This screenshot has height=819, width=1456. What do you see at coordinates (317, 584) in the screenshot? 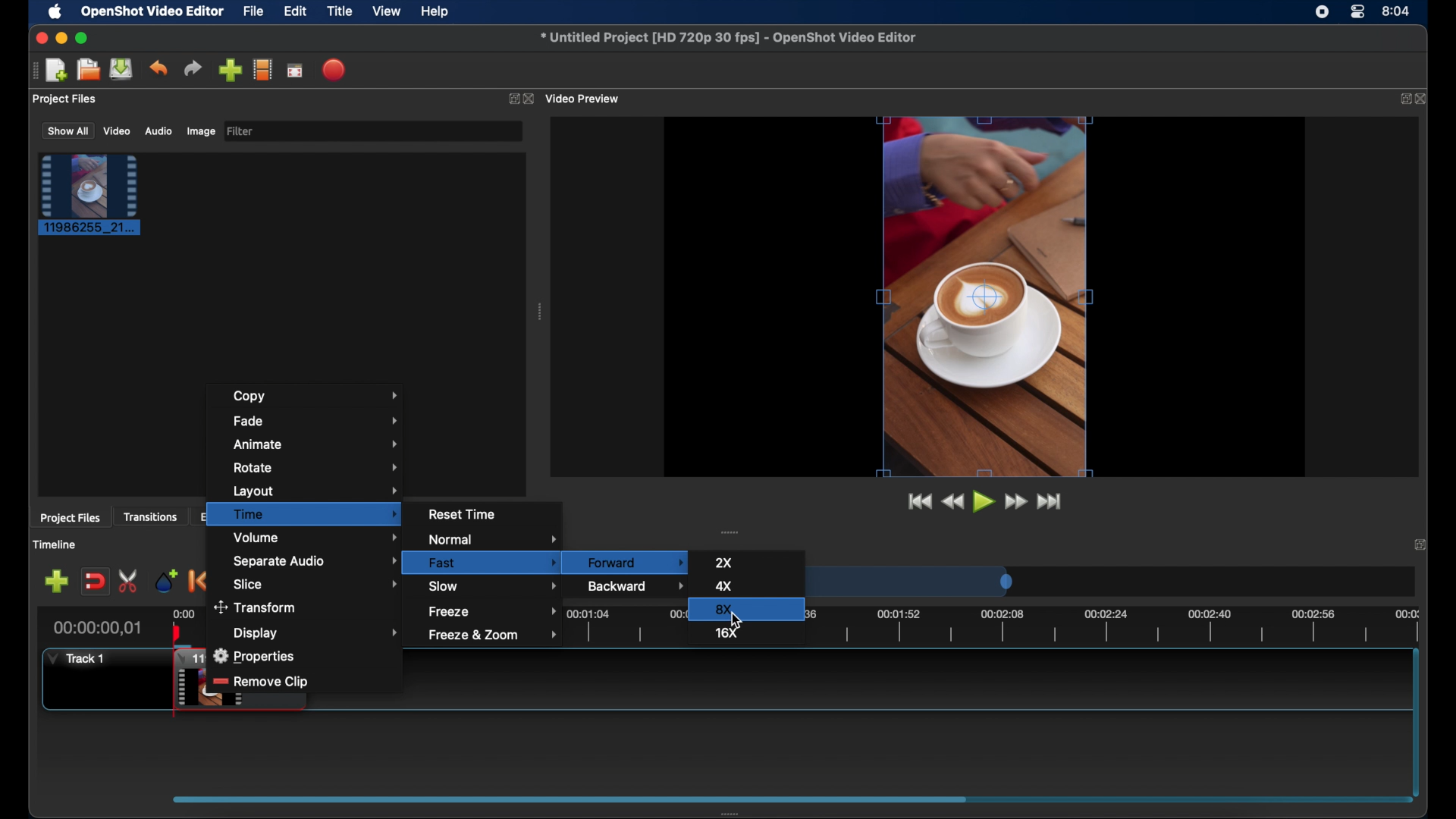
I see `slice menu` at bounding box center [317, 584].